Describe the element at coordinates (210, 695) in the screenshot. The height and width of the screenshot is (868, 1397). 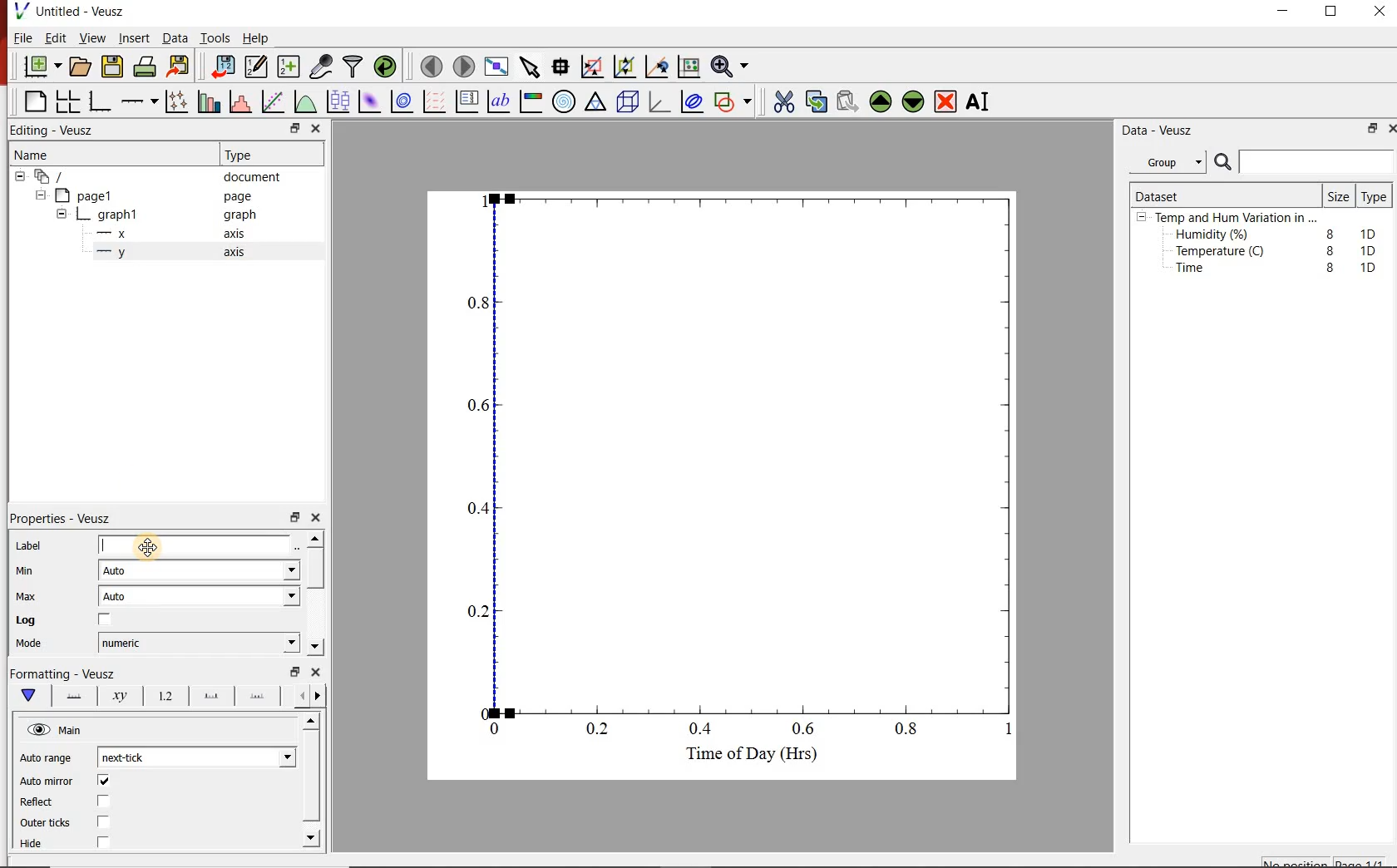
I see `major ticks` at that location.